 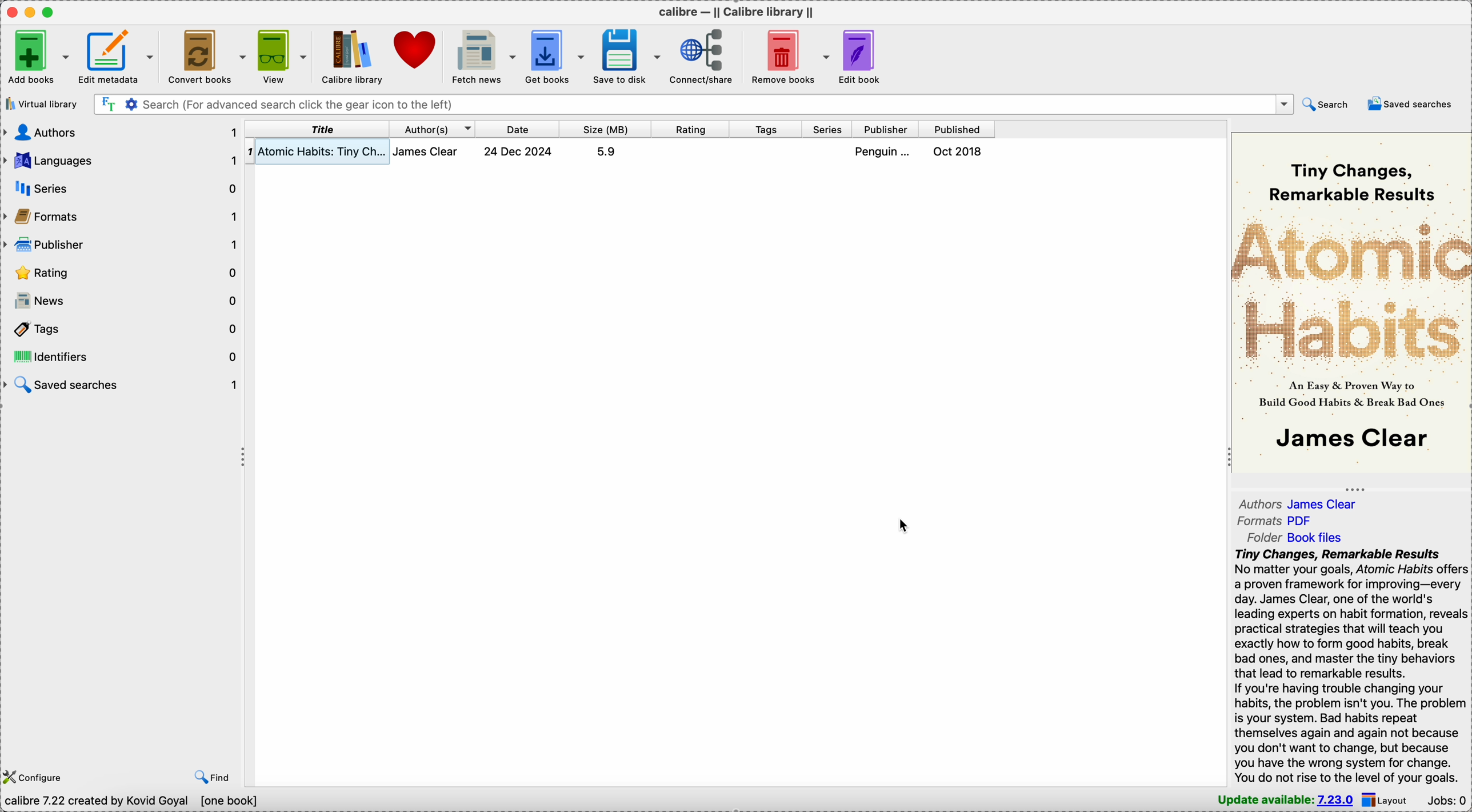 What do you see at coordinates (1350, 301) in the screenshot?
I see `book cover preview` at bounding box center [1350, 301].